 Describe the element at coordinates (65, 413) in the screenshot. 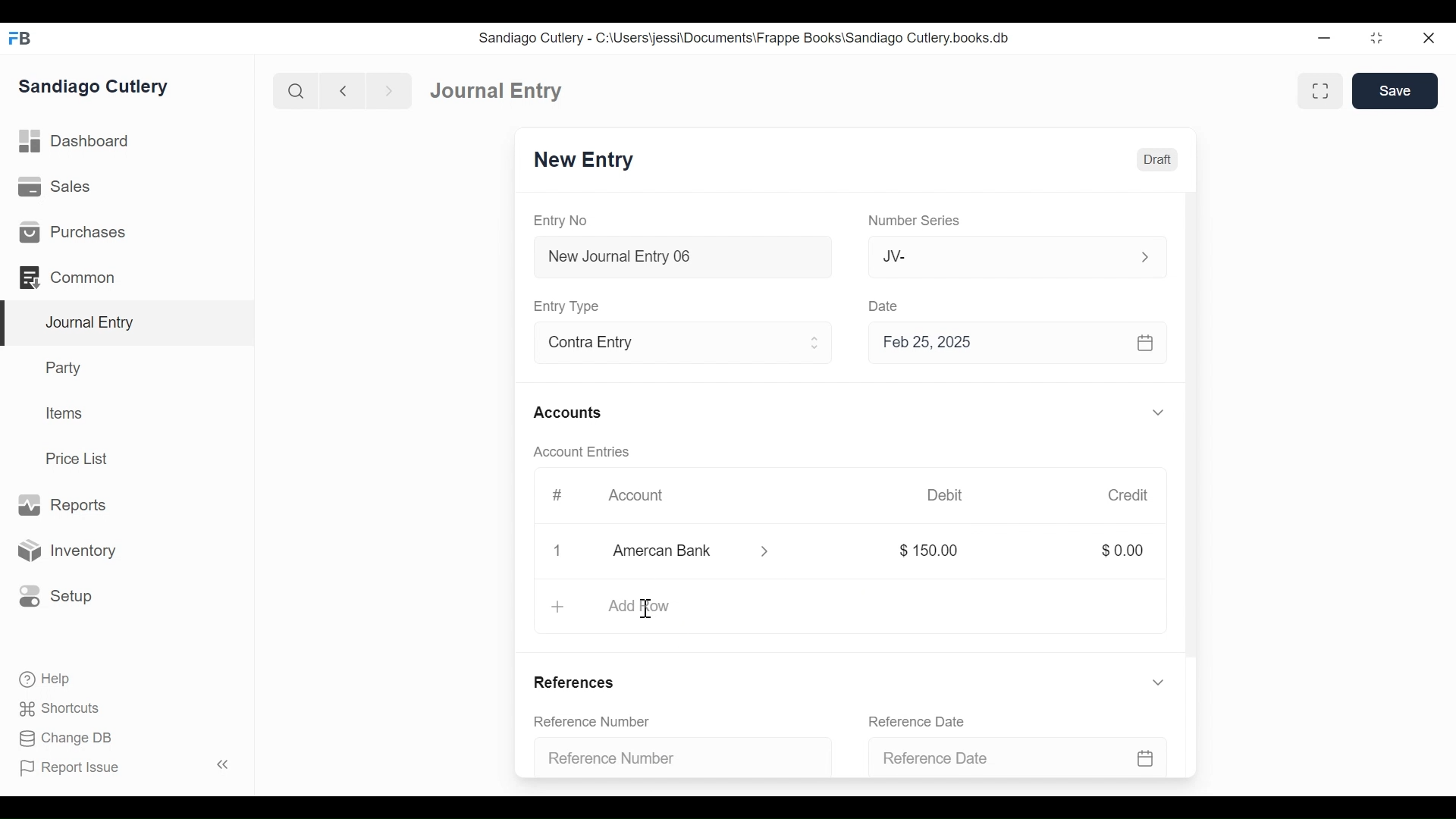

I see `Items` at that location.